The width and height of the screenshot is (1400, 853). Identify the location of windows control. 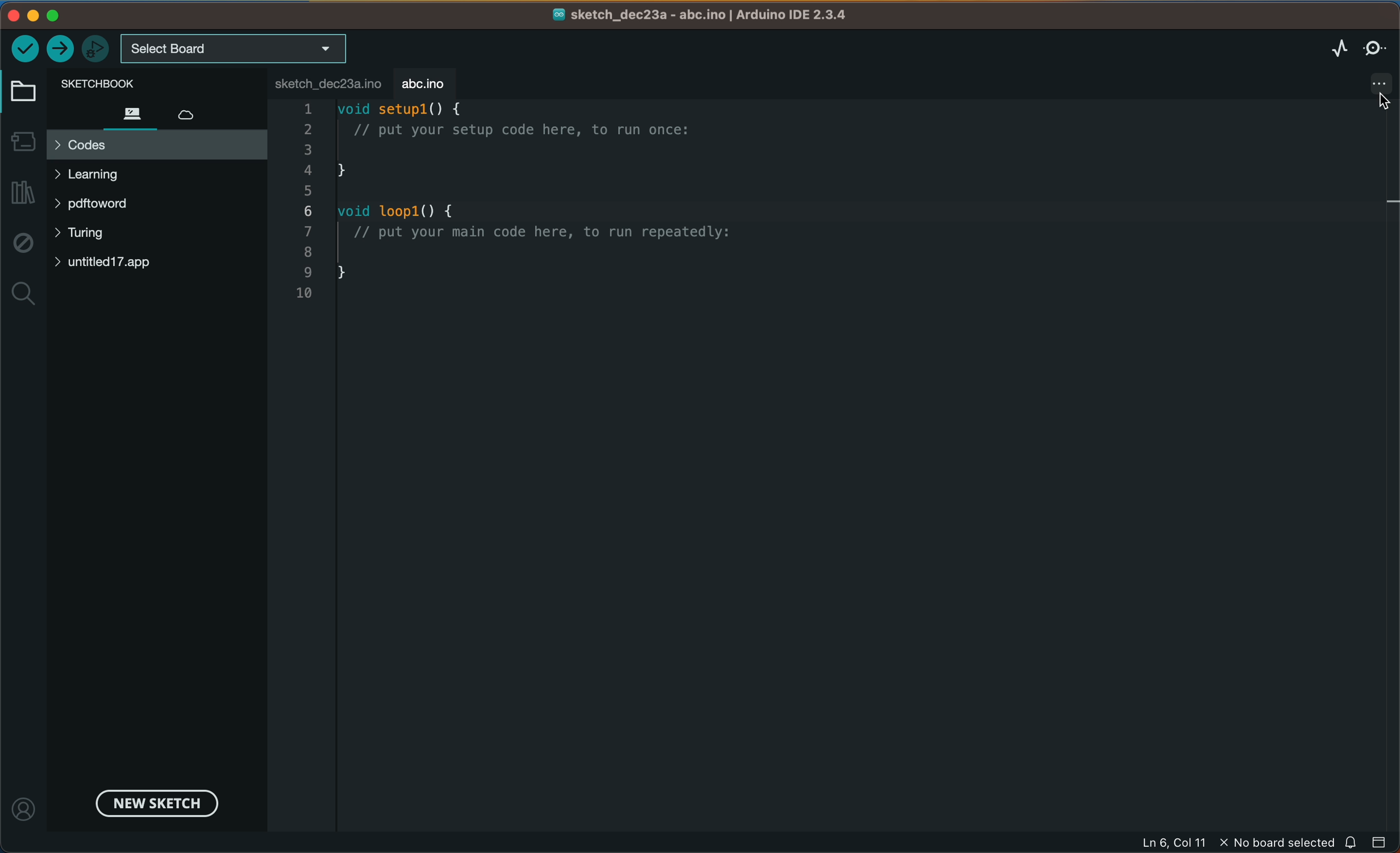
(58, 15).